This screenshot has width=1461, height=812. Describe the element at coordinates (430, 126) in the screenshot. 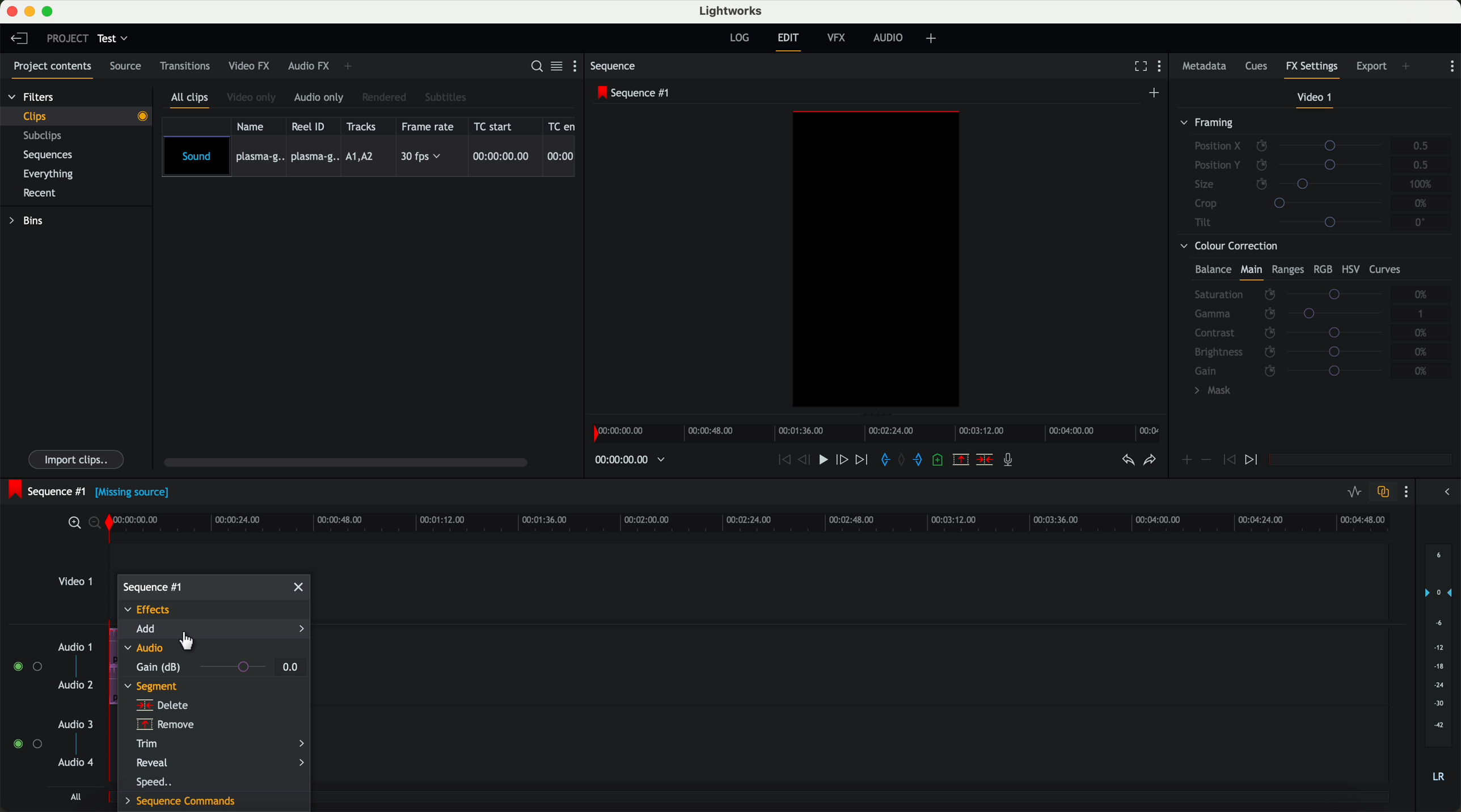

I see `frame rate` at that location.